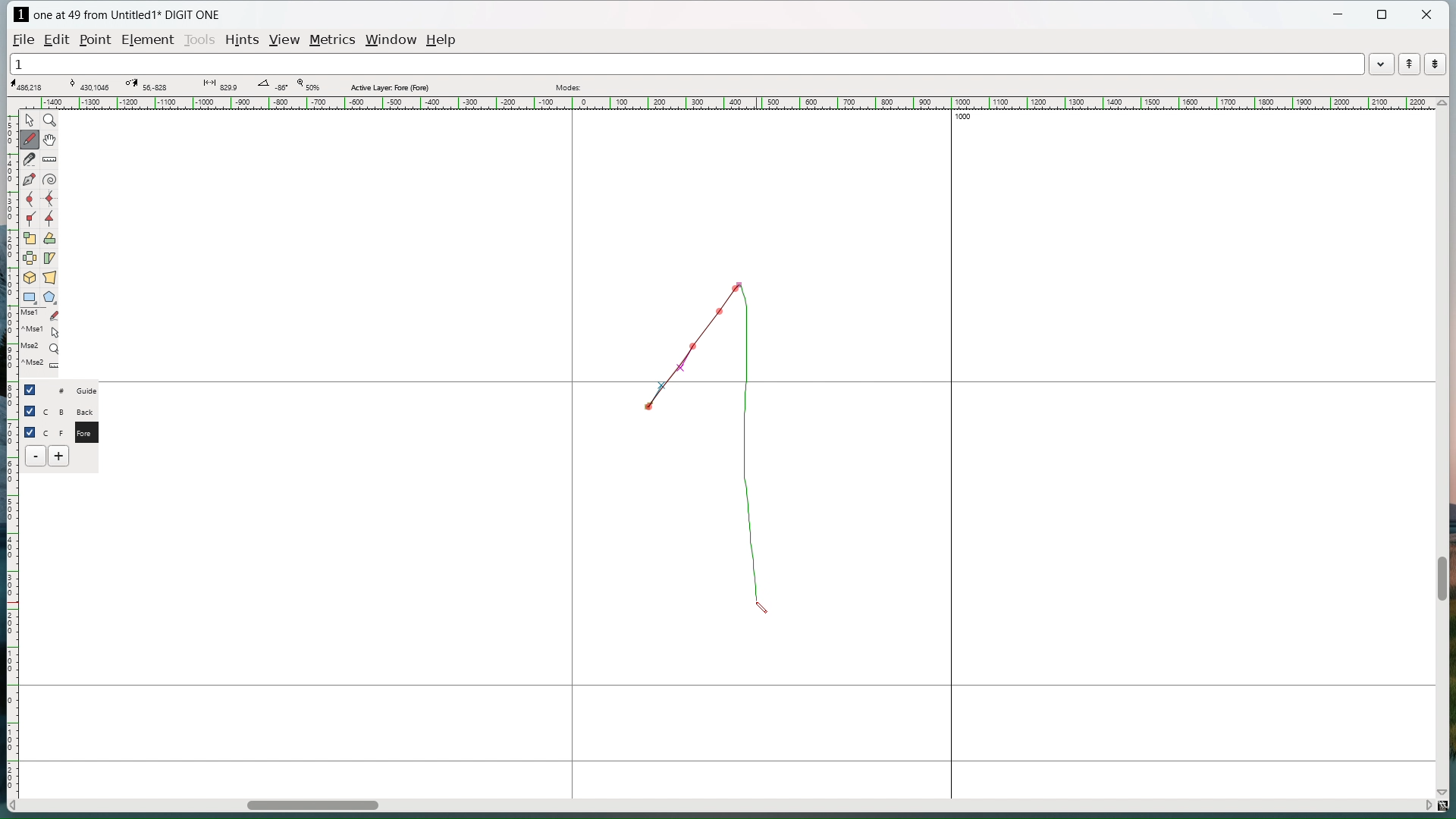 The height and width of the screenshot is (819, 1456). Describe the element at coordinates (49, 238) in the screenshot. I see `rotate` at that location.